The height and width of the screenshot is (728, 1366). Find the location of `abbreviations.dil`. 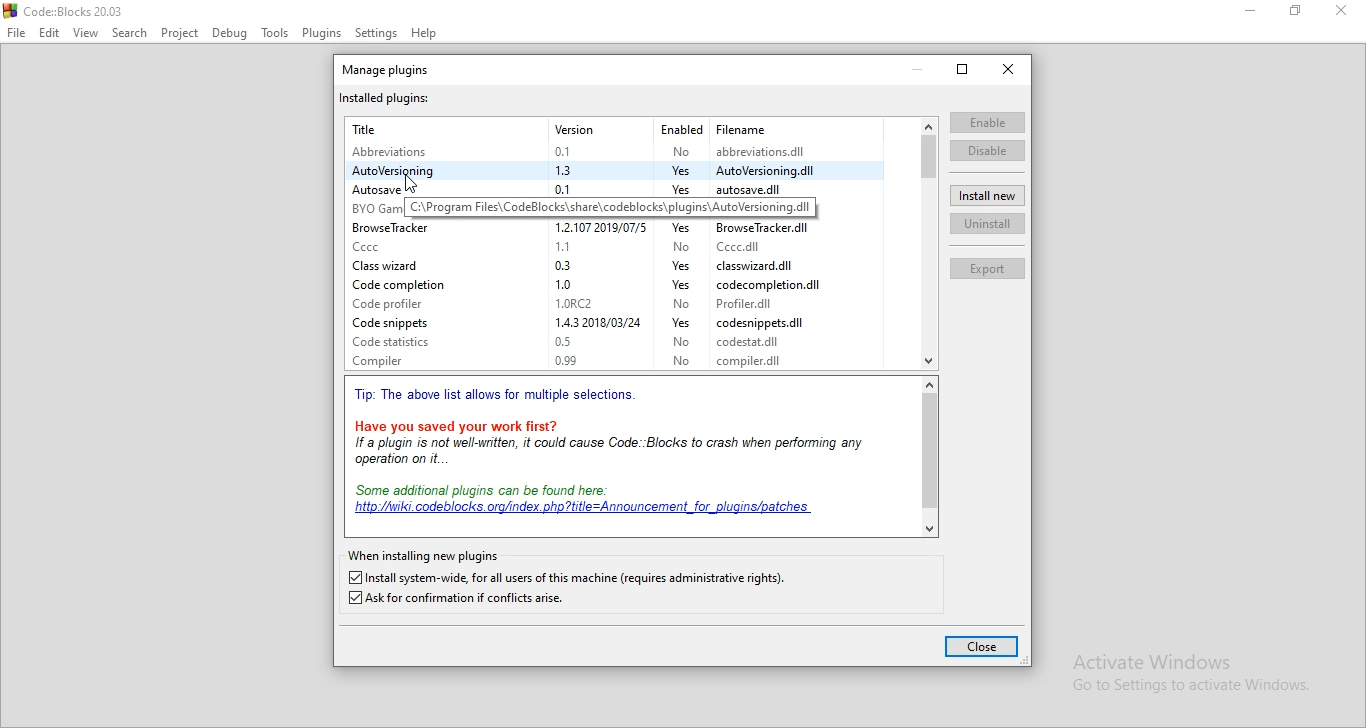

abbreviations.dil is located at coordinates (770, 150).